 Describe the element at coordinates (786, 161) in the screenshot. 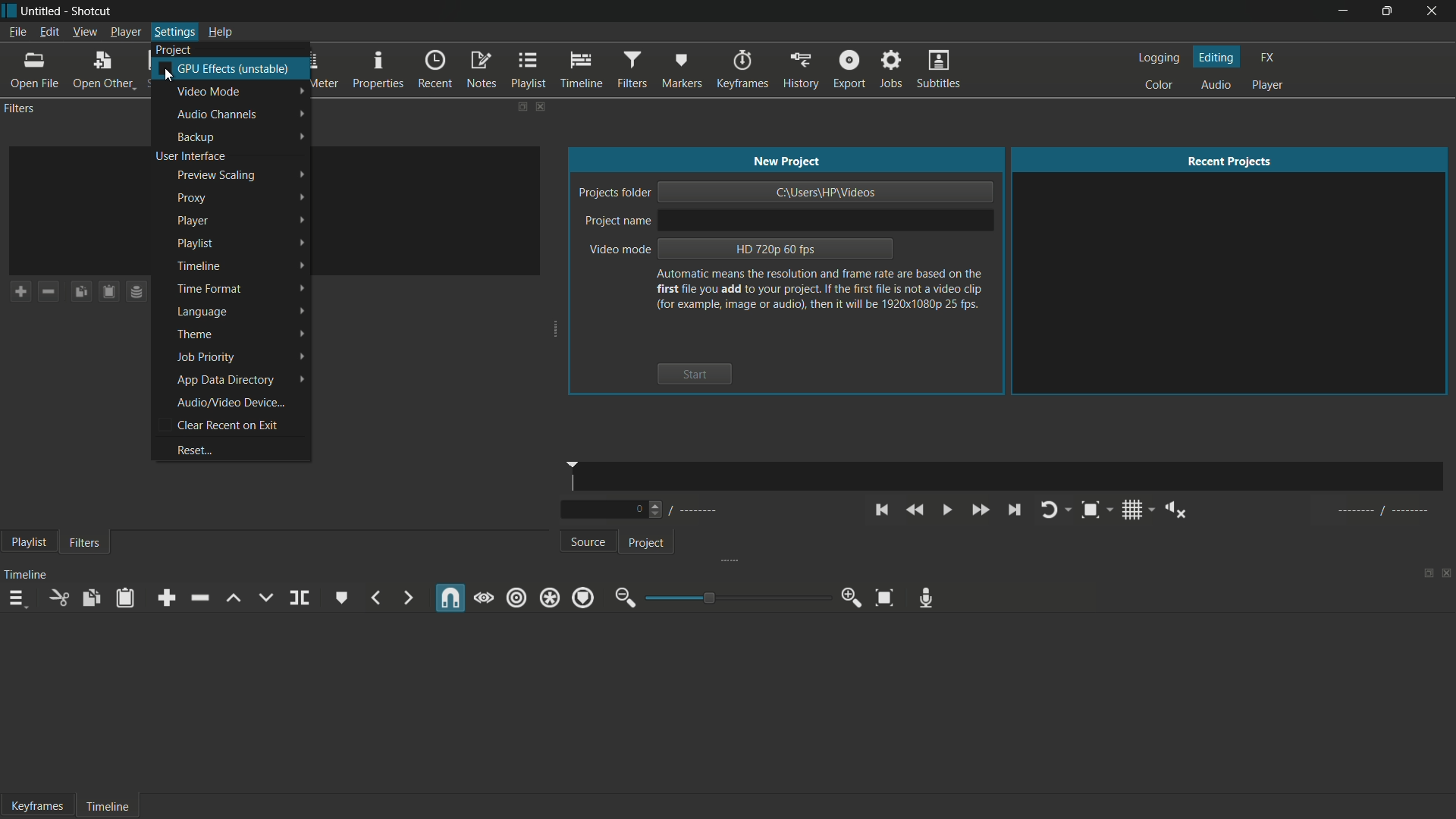

I see `new project` at that location.